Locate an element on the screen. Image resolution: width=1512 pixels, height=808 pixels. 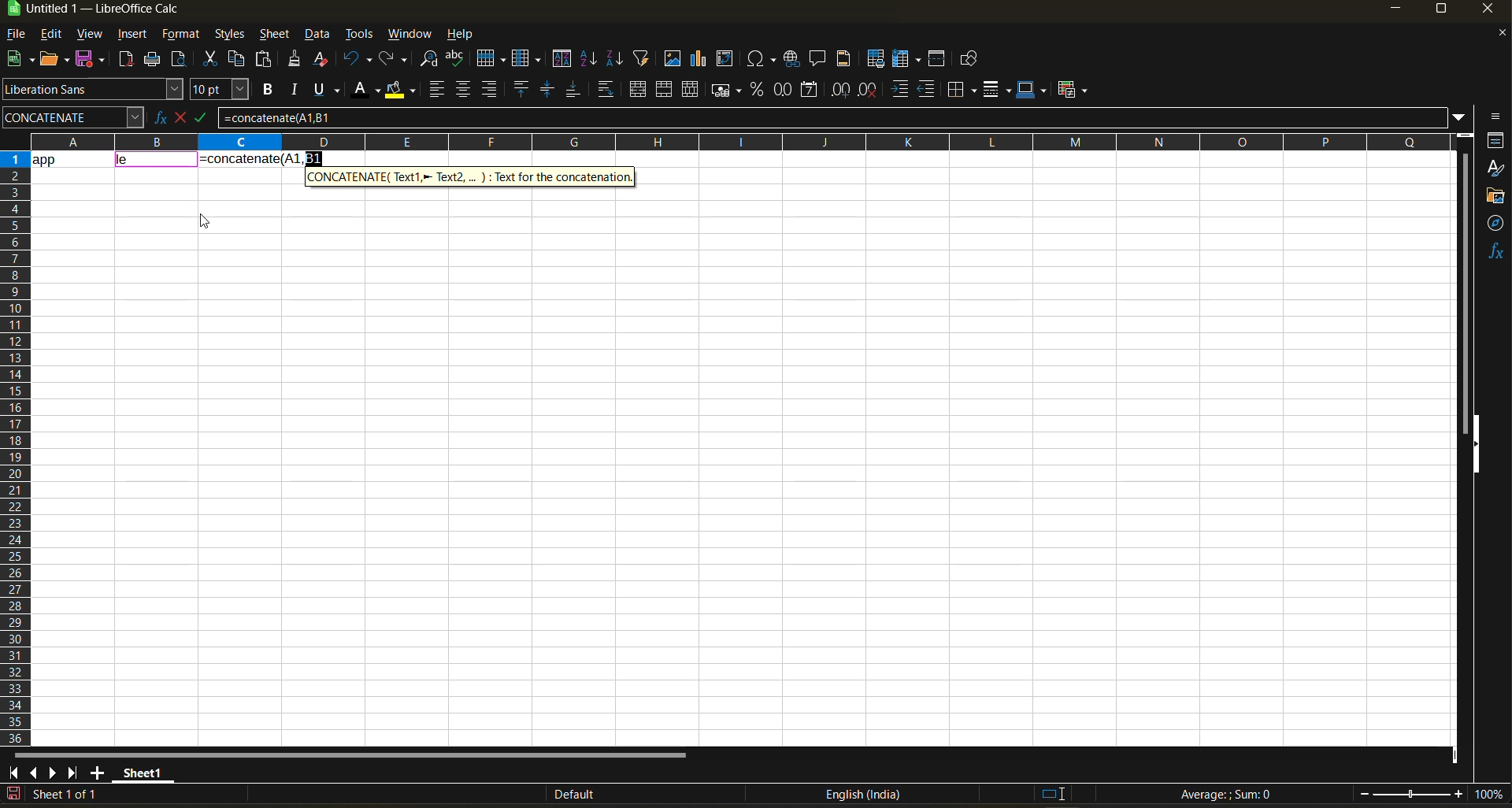
clear direct formatting is located at coordinates (324, 58).